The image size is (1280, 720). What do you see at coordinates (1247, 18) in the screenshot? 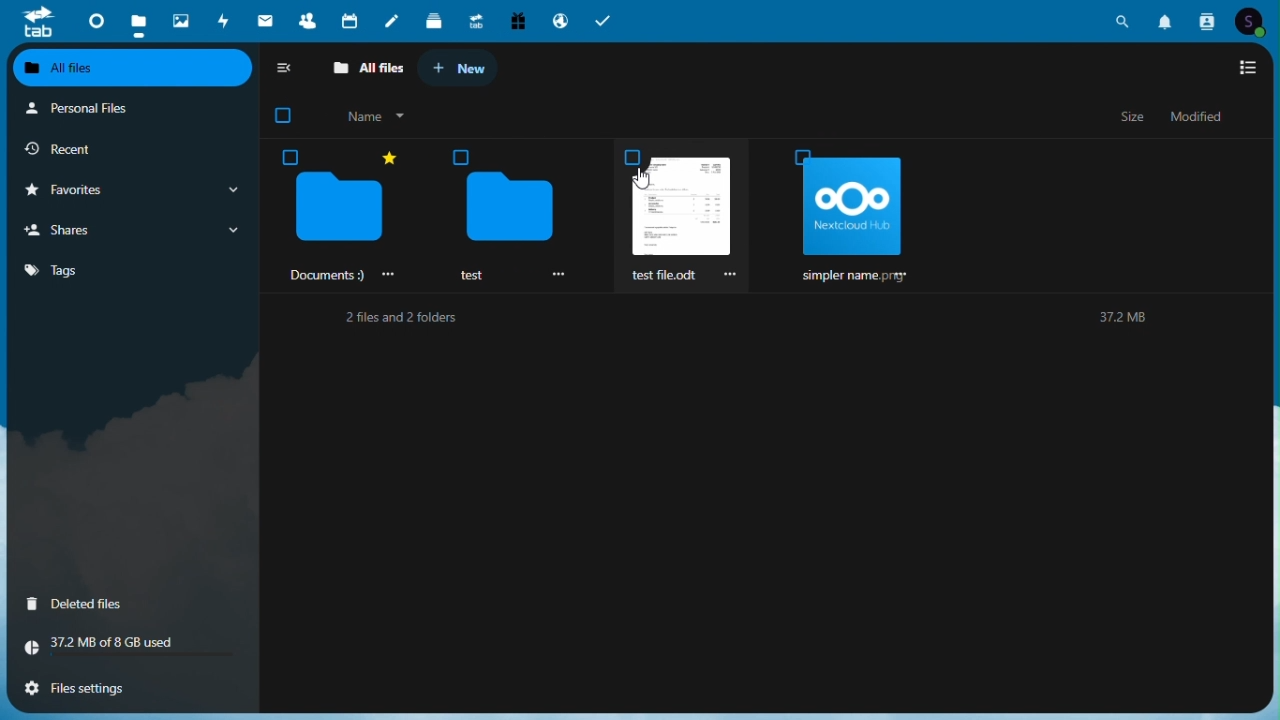
I see `account icon` at bounding box center [1247, 18].